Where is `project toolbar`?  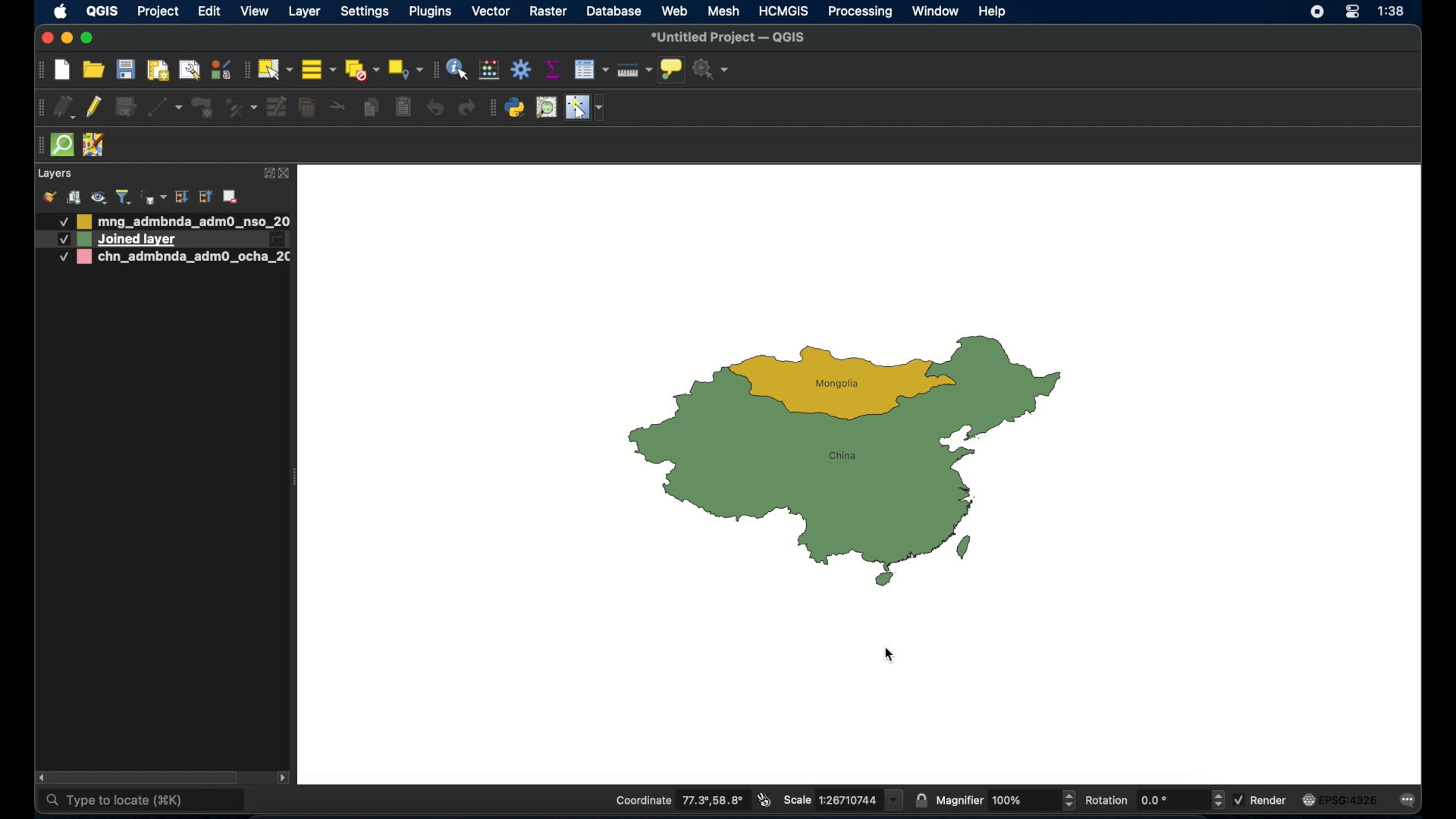 project toolbar is located at coordinates (39, 71).